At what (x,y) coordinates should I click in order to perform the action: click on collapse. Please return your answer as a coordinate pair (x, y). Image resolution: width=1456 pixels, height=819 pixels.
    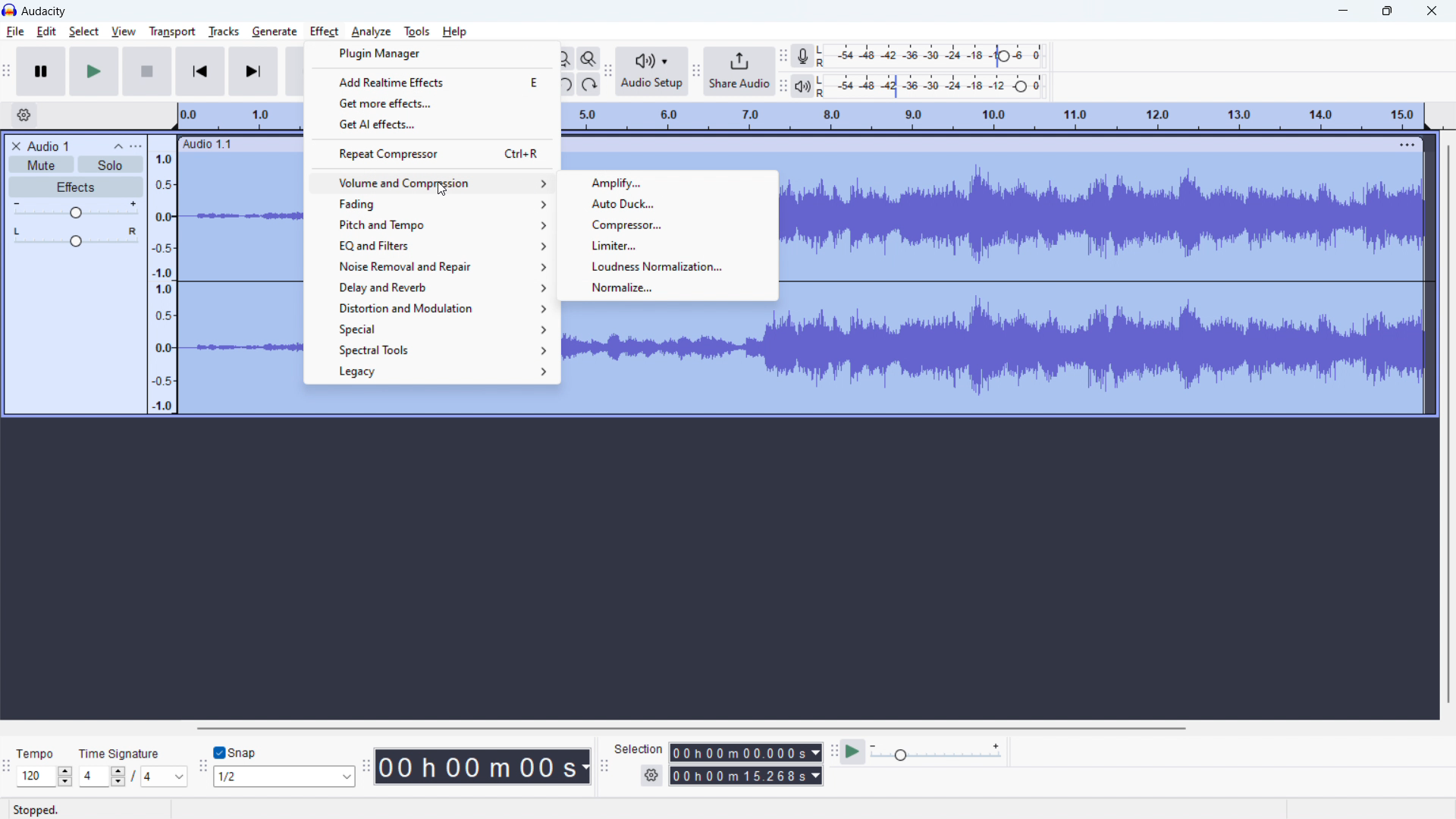
    Looking at the image, I should click on (116, 146).